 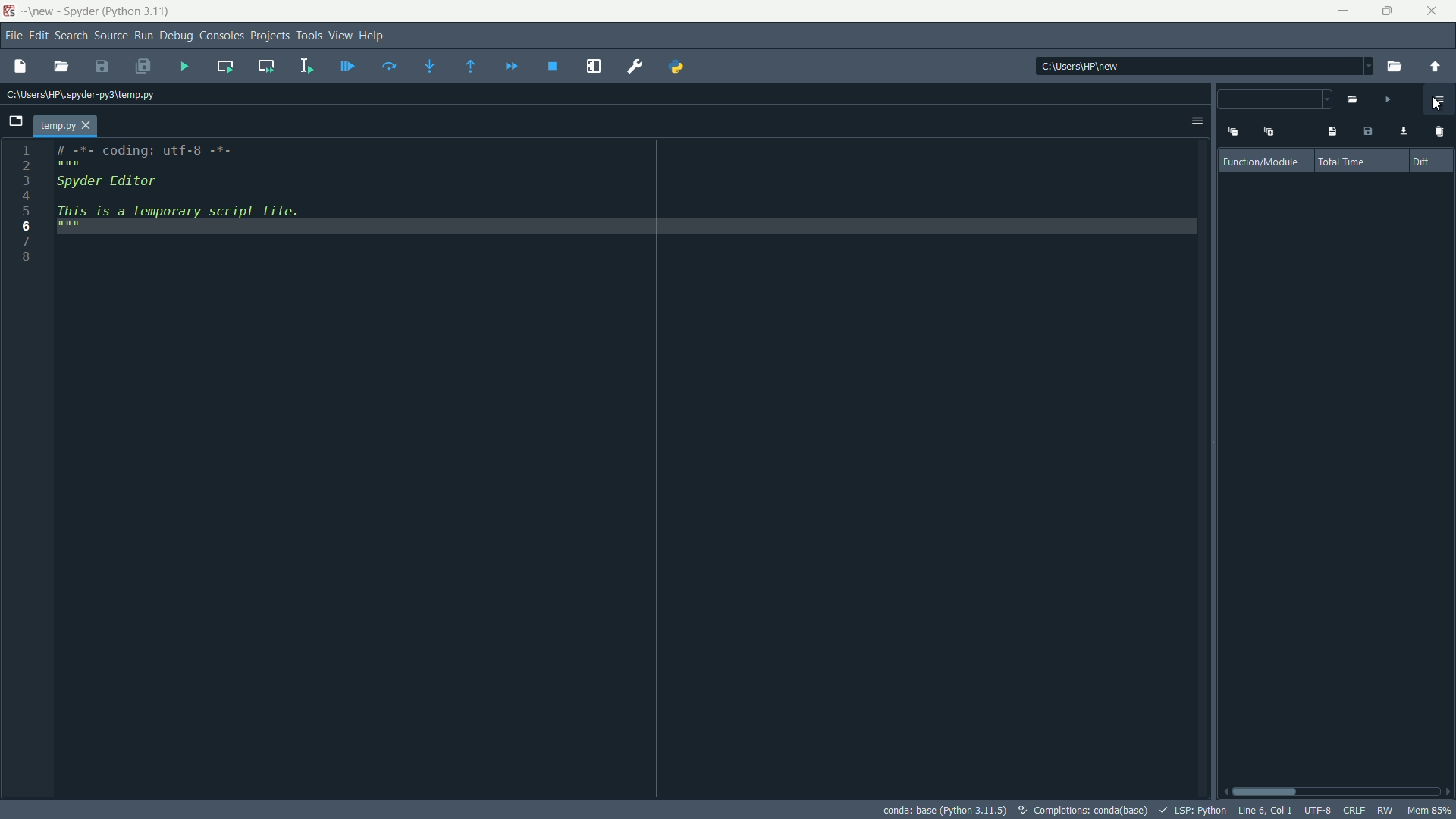 What do you see at coordinates (1191, 811) in the screenshot?
I see `LSP:Python` at bounding box center [1191, 811].